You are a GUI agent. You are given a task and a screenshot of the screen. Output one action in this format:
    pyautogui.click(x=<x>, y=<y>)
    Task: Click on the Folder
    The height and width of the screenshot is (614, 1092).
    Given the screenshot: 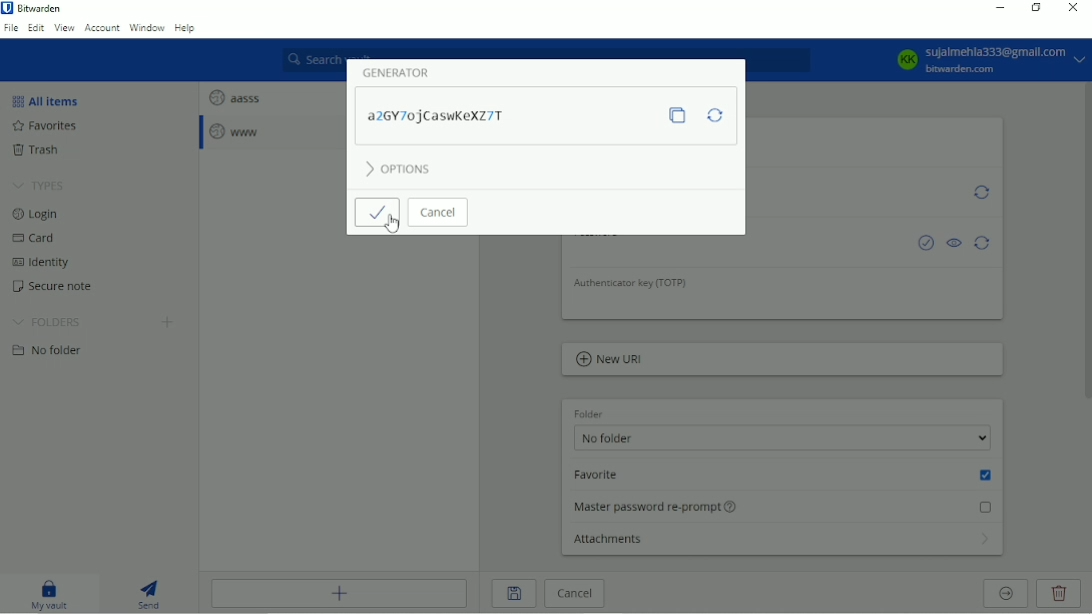 What is the action you would take?
    pyautogui.click(x=588, y=411)
    